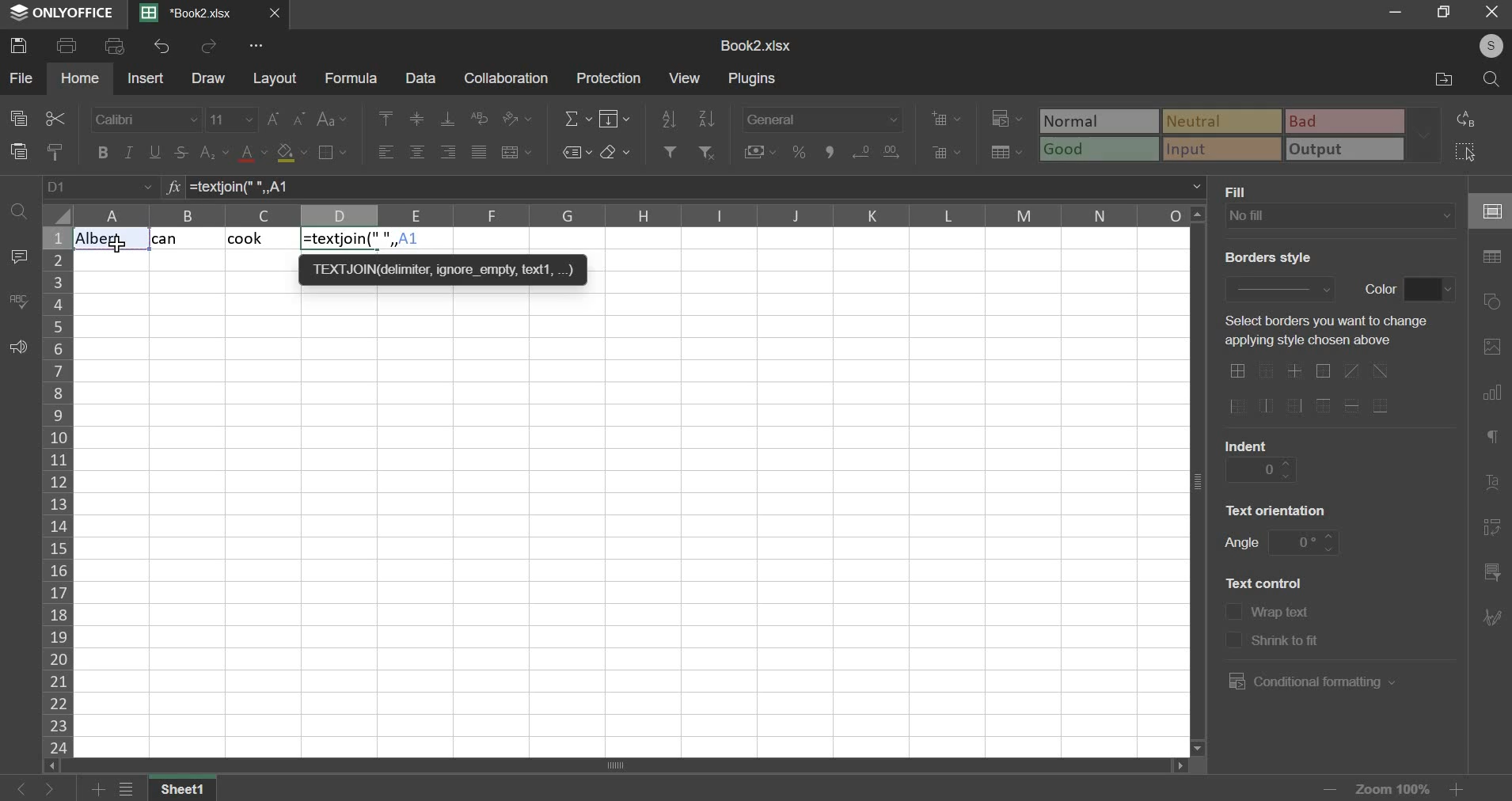  What do you see at coordinates (684, 77) in the screenshot?
I see `view` at bounding box center [684, 77].